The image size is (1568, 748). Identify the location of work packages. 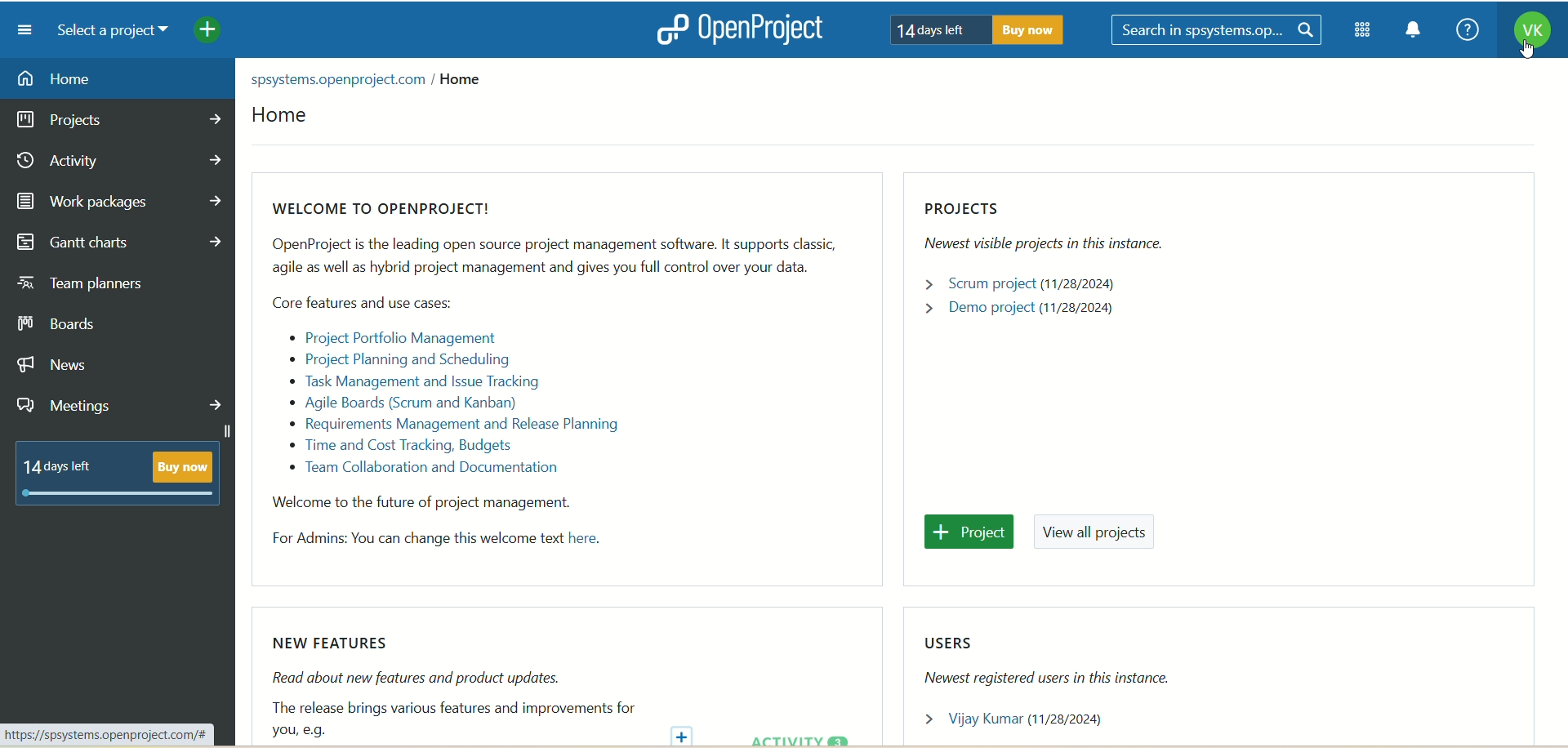
(122, 200).